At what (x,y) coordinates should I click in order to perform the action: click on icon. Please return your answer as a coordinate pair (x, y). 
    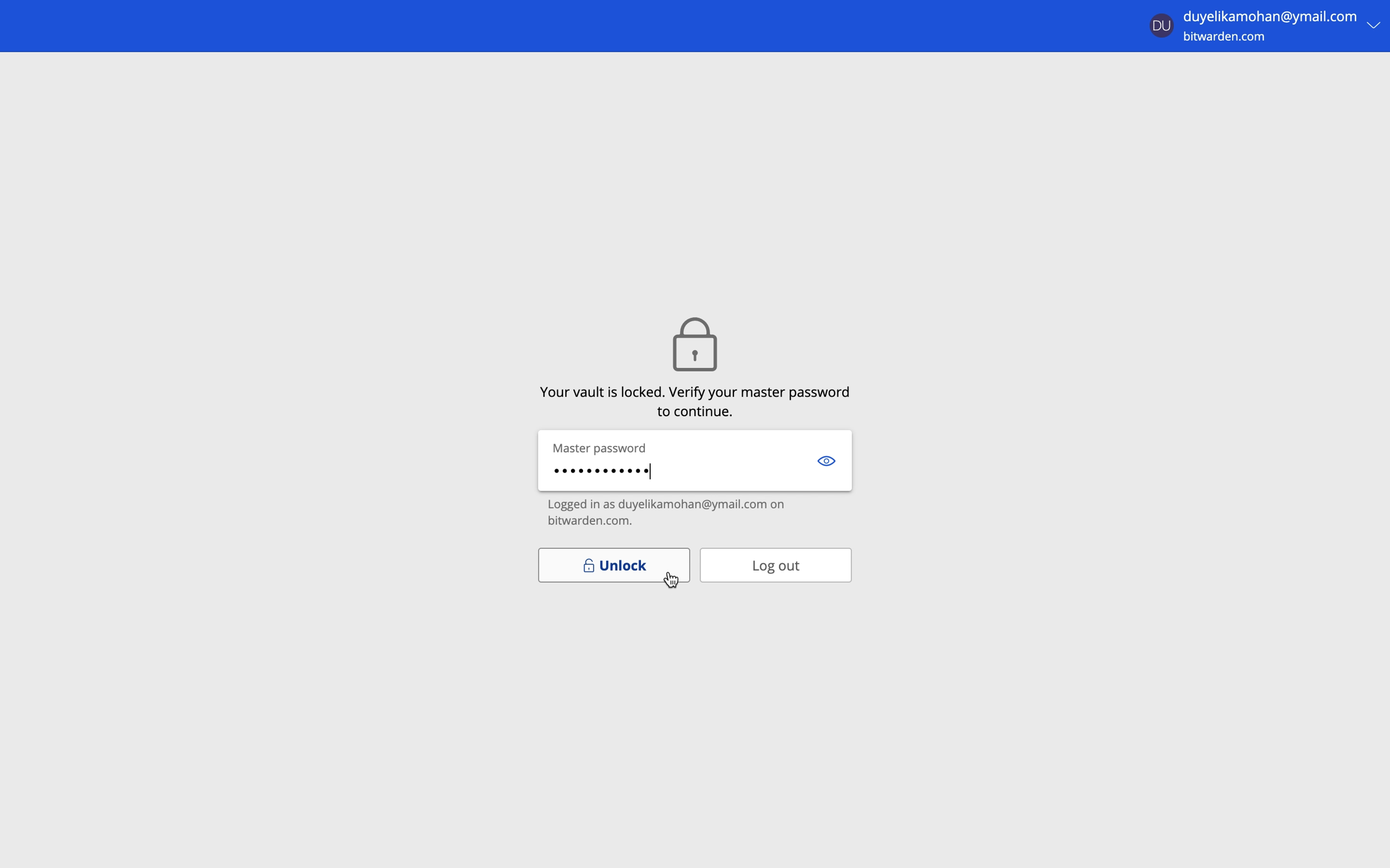
    Looking at the image, I should click on (693, 342).